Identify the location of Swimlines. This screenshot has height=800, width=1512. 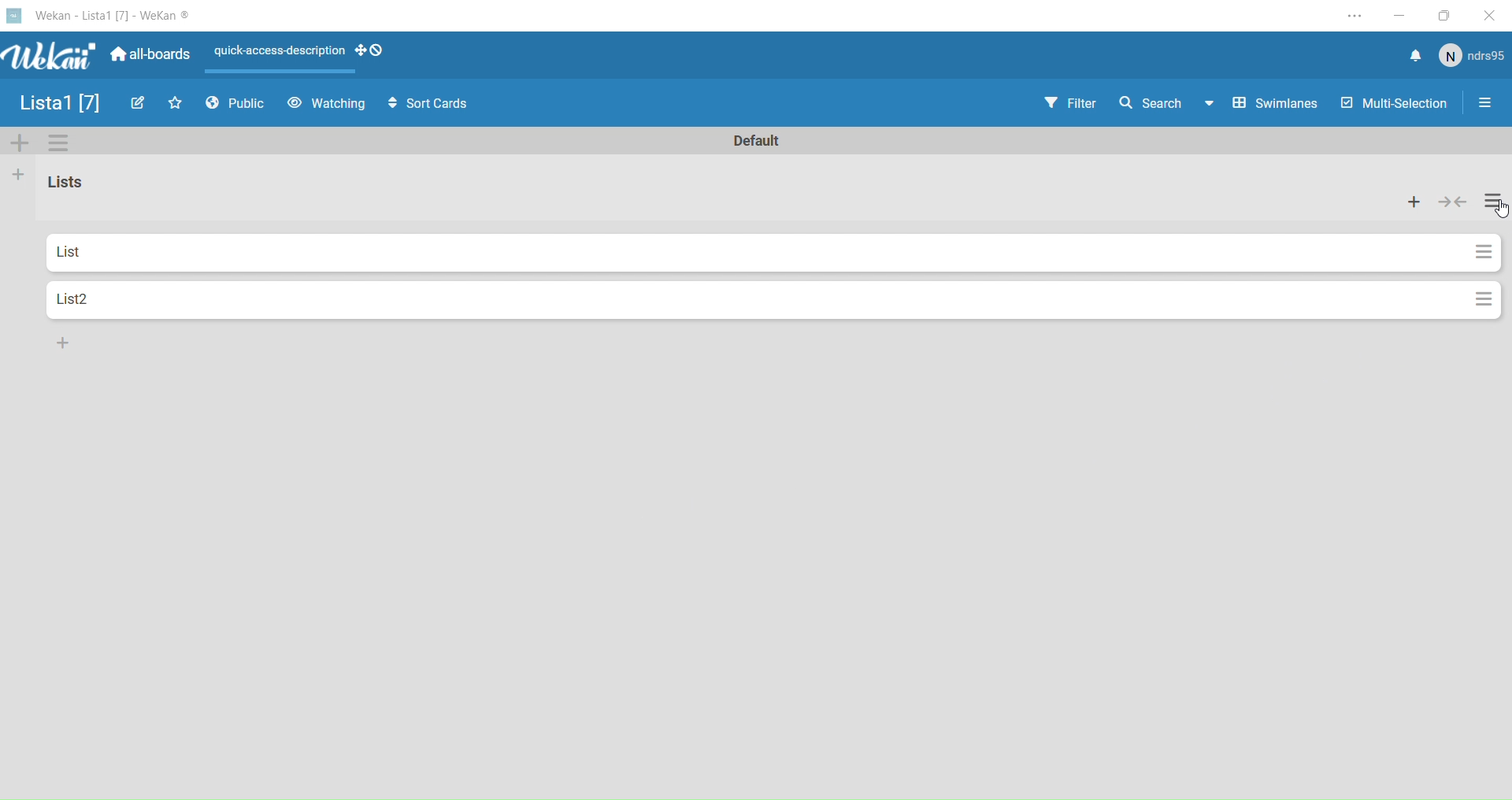
(1262, 106).